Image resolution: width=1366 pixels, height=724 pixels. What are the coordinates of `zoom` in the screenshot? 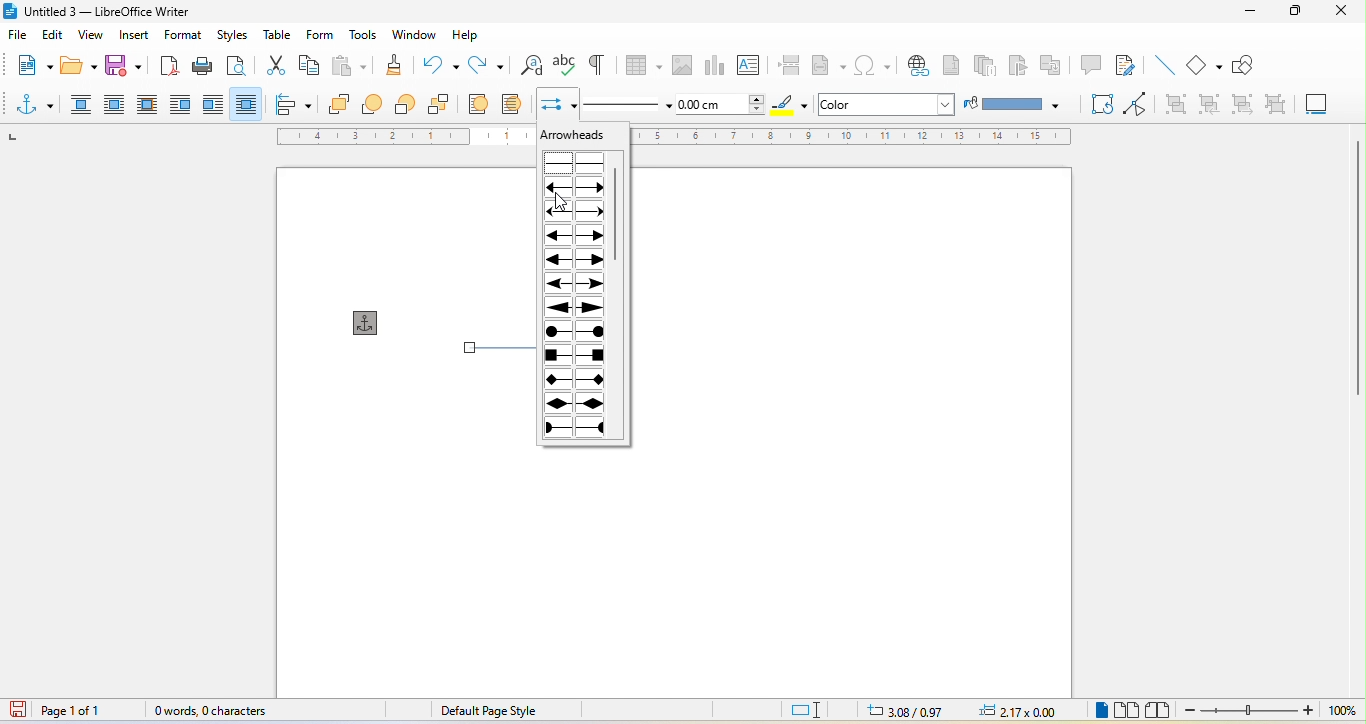 It's located at (1274, 711).